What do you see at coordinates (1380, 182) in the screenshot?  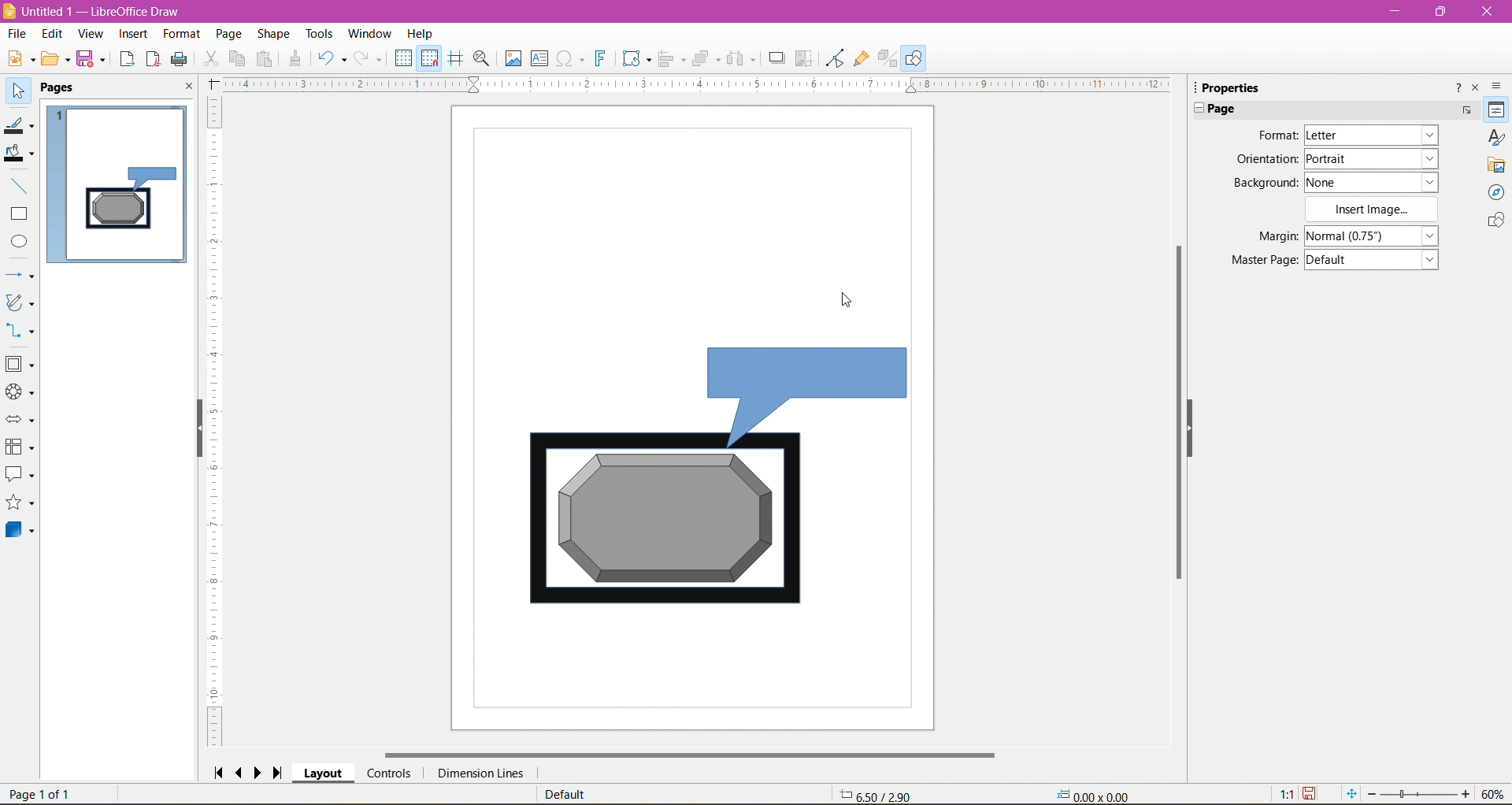 I see `Select background` at bounding box center [1380, 182].